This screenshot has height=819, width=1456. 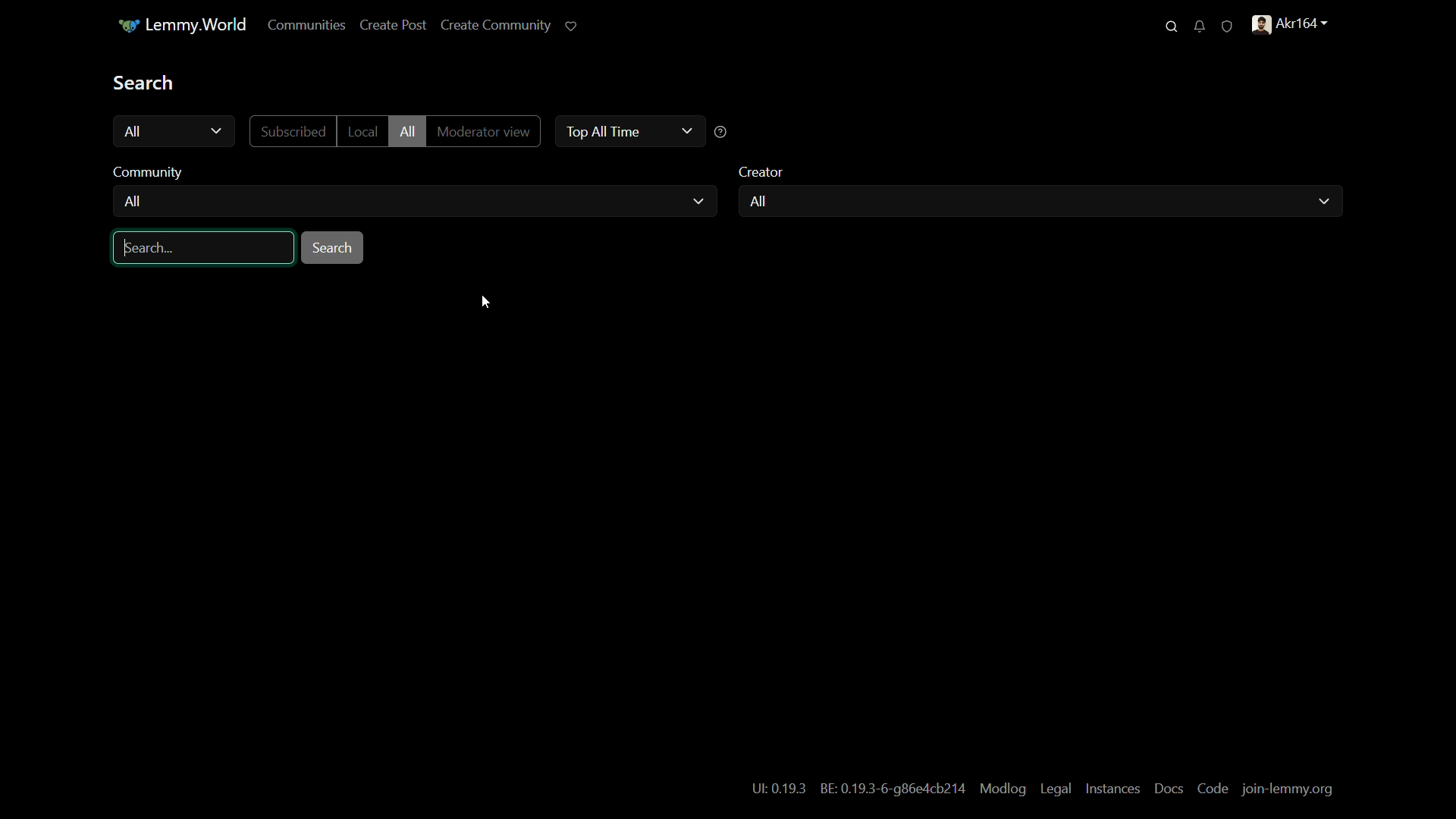 I want to click on cursor, so click(x=485, y=303).